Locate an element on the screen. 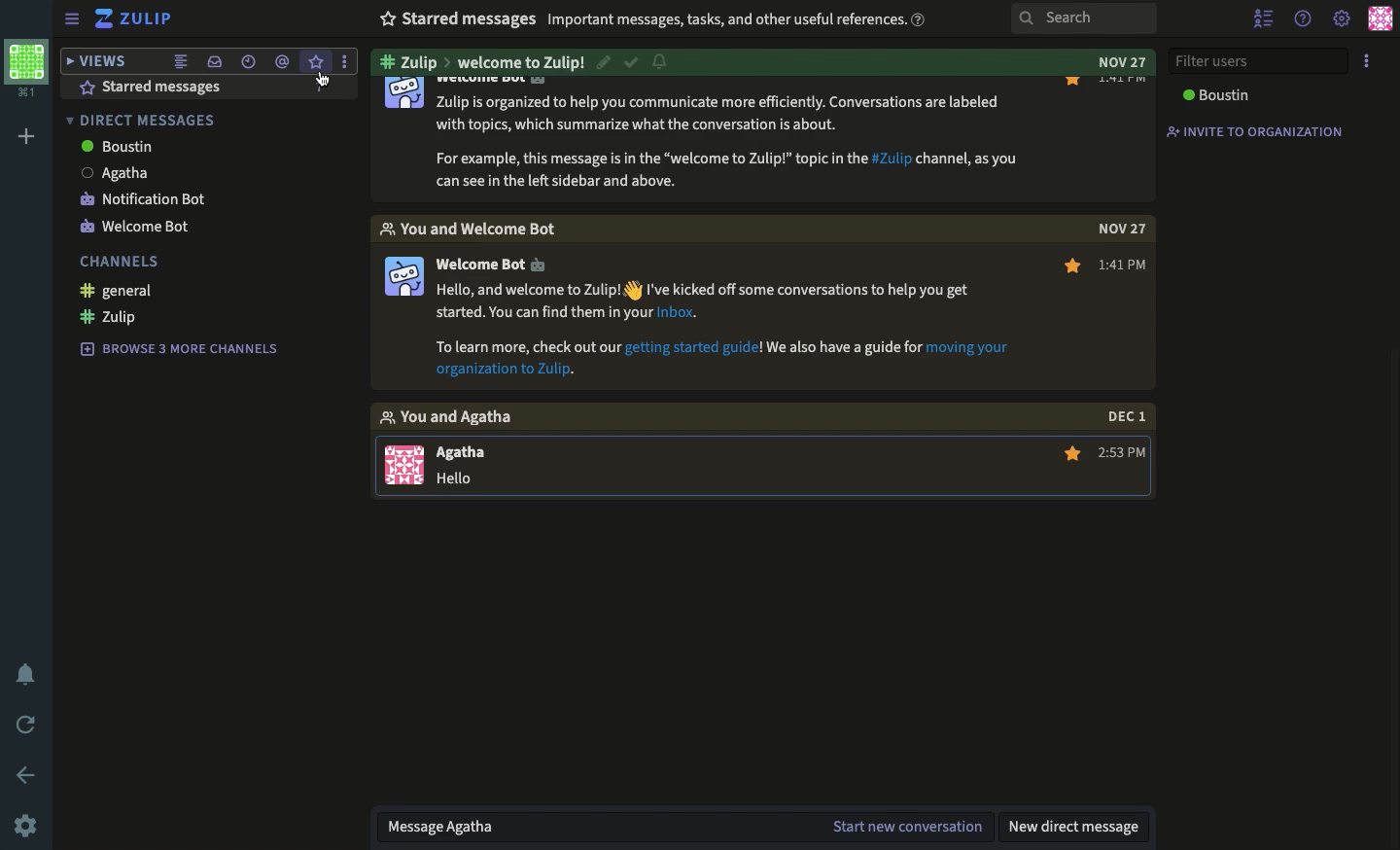 Image resolution: width=1400 pixels, height=850 pixels. sidebar is located at coordinates (70, 19).